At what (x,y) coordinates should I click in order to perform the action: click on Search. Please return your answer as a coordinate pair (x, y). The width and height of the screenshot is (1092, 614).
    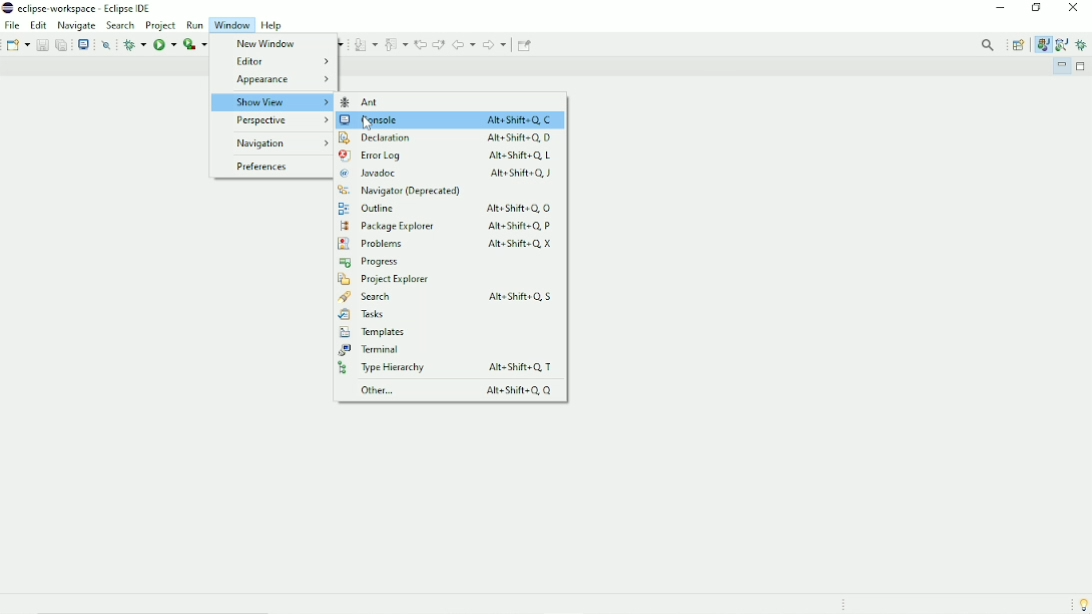
    Looking at the image, I should click on (451, 297).